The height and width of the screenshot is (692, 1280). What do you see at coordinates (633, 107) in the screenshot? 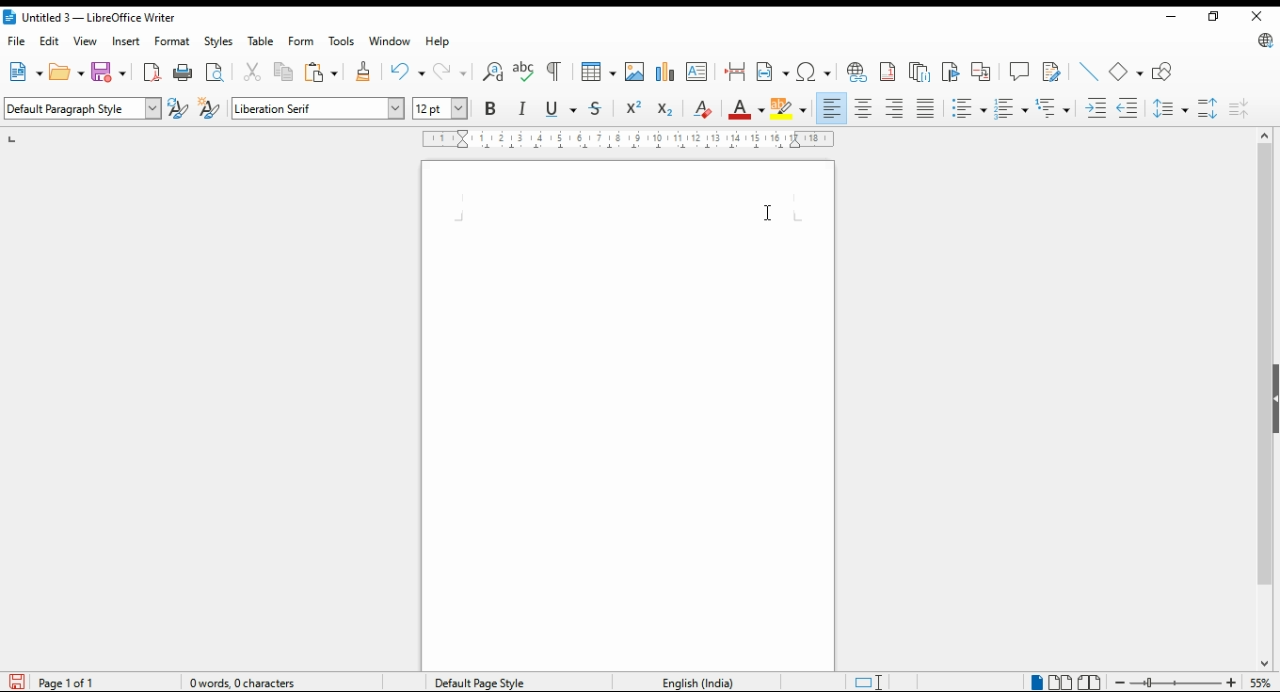
I see `superscript` at bounding box center [633, 107].